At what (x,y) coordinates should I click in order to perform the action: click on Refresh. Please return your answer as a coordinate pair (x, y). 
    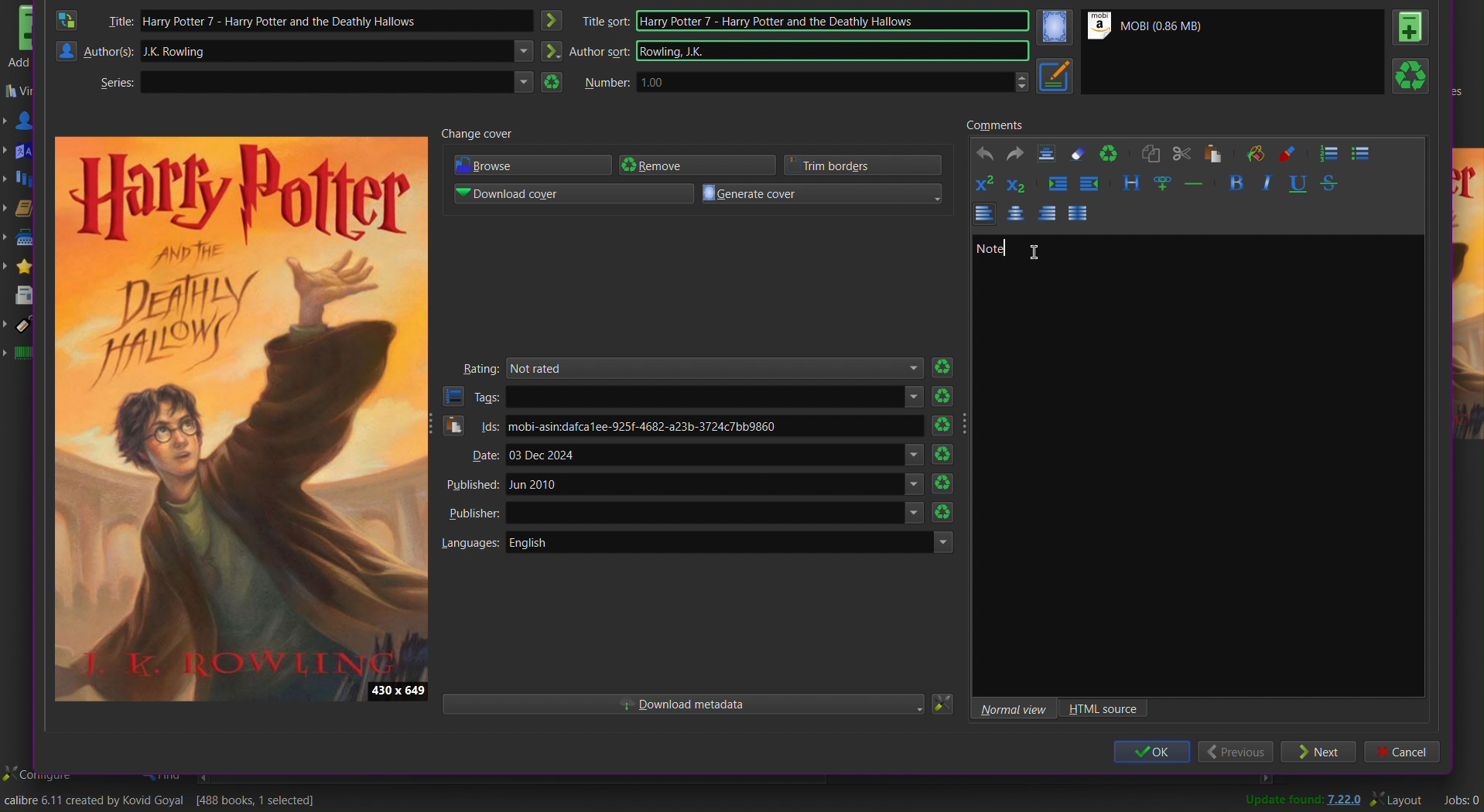
    Looking at the image, I should click on (942, 482).